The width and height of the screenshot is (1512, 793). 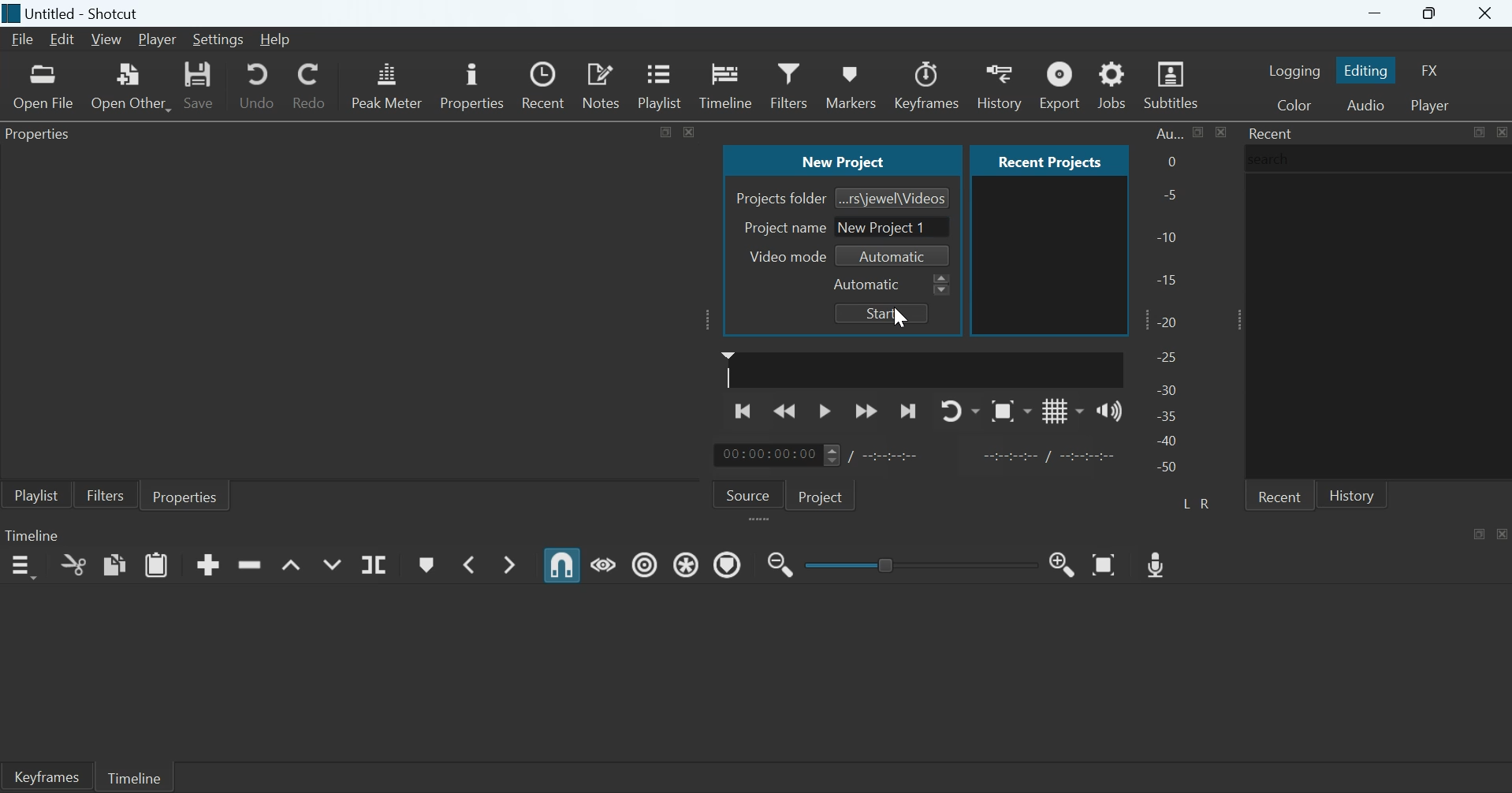 What do you see at coordinates (780, 563) in the screenshot?
I see `zoom timeline out` at bounding box center [780, 563].